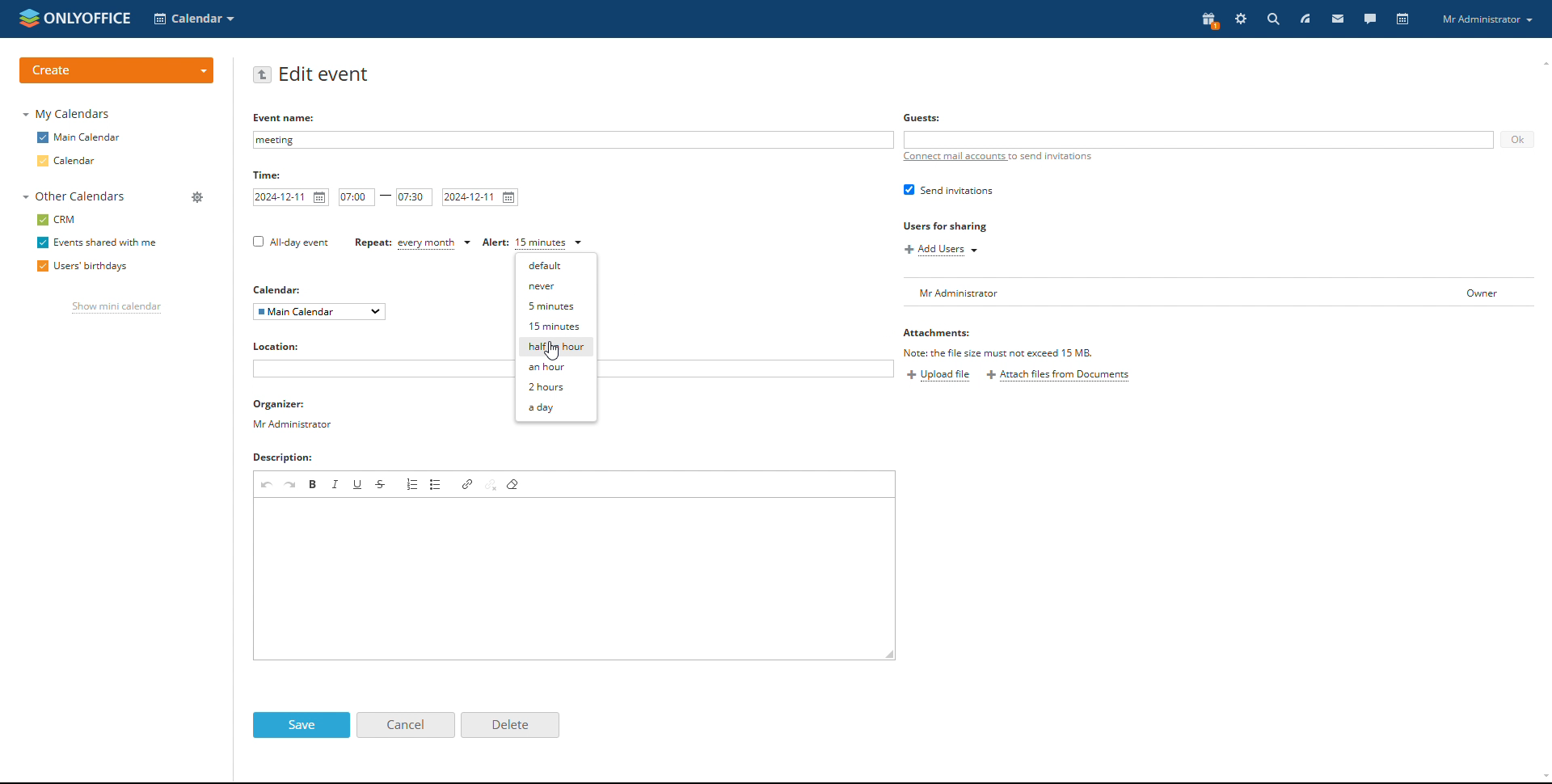  I want to click on add description, so click(576, 579).